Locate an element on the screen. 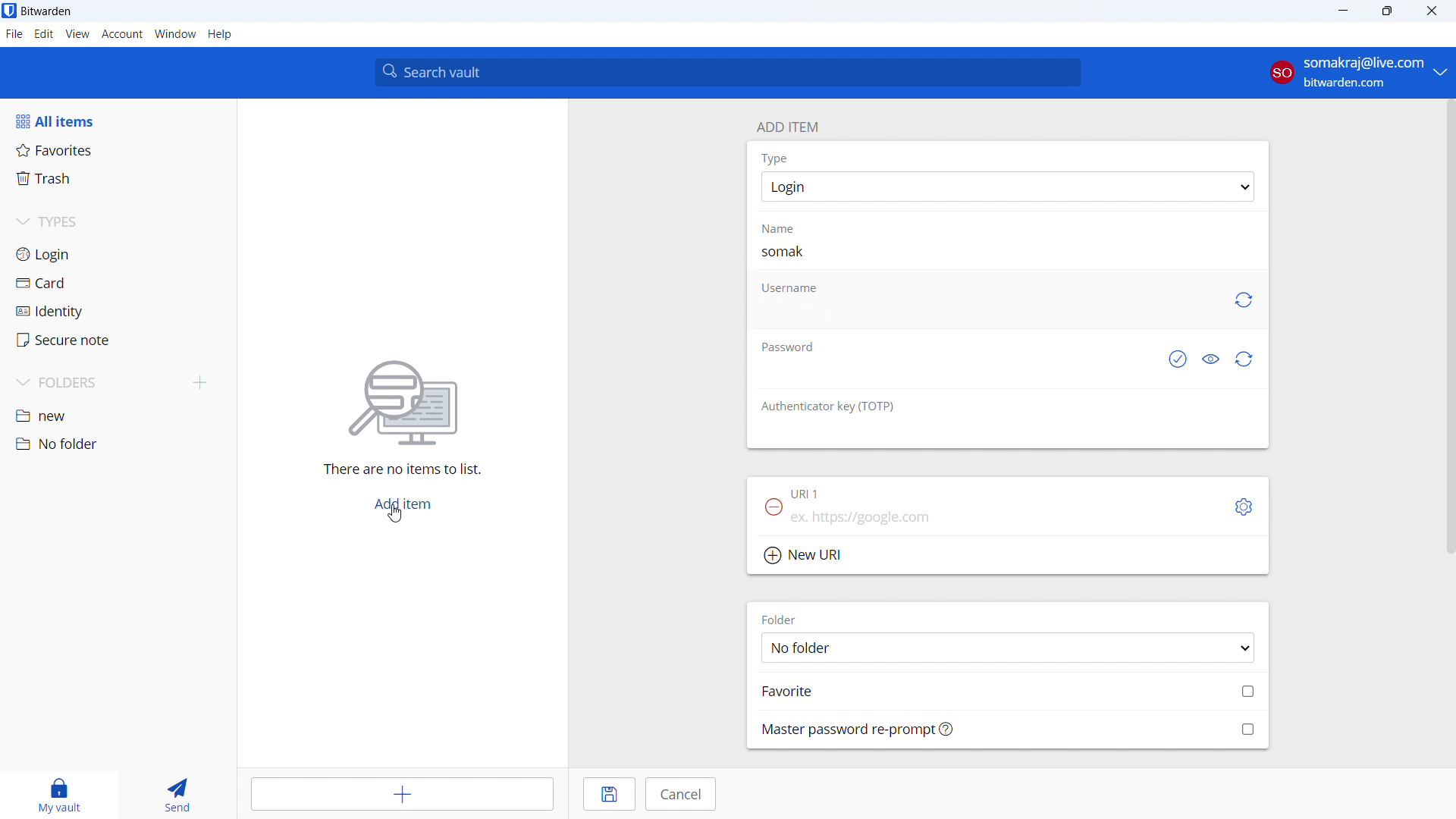  trash is located at coordinates (117, 179).